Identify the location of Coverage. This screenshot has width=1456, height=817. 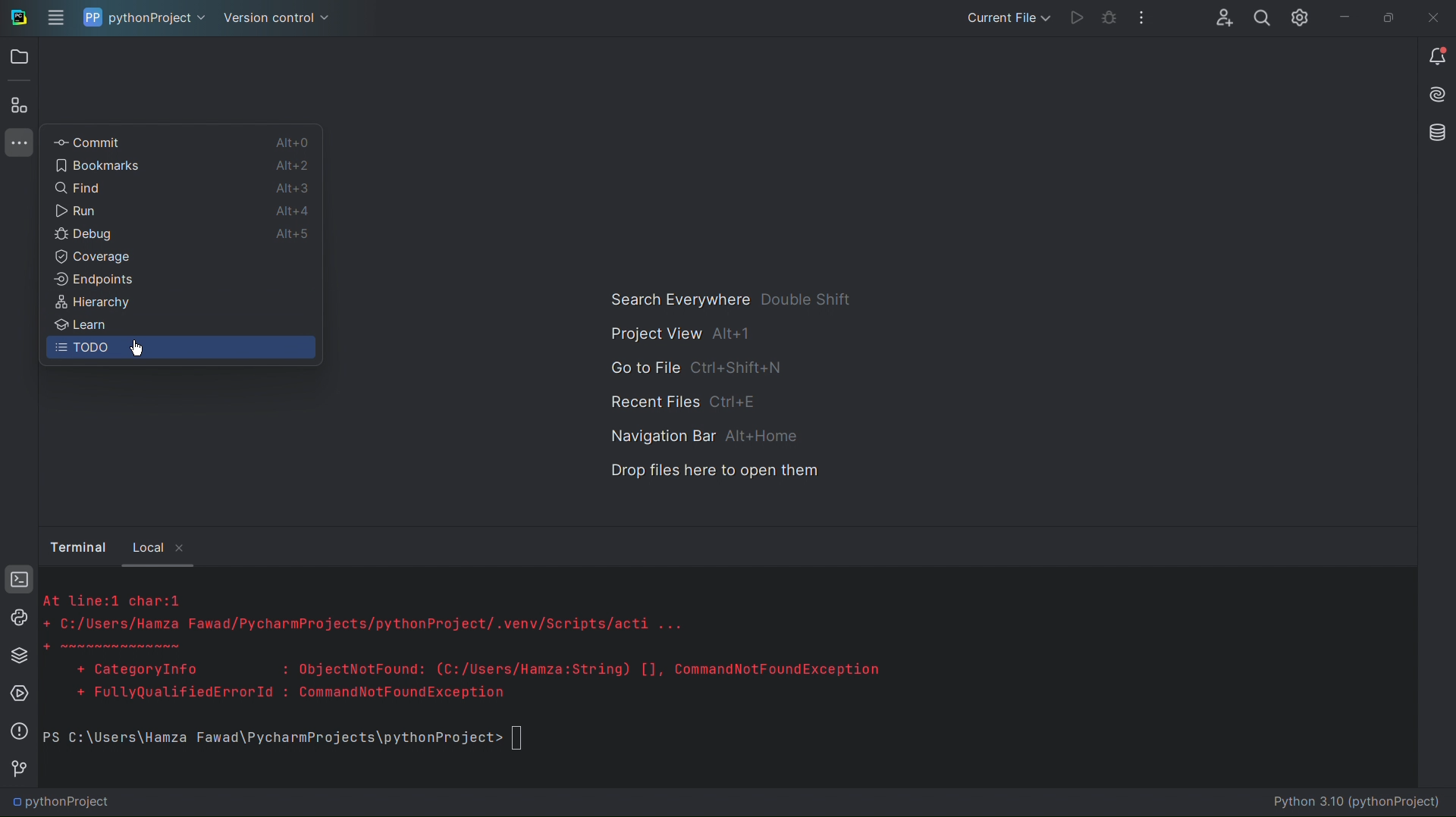
(94, 257).